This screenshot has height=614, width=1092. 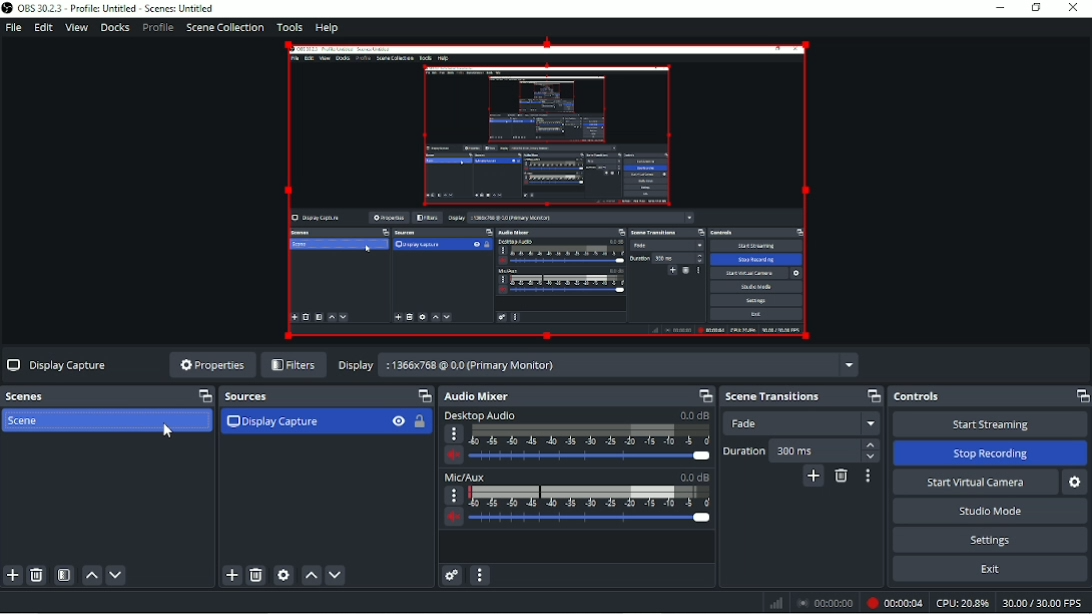 What do you see at coordinates (772, 397) in the screenshot?
I see `Scene transition` at bounding box center [772, 397].